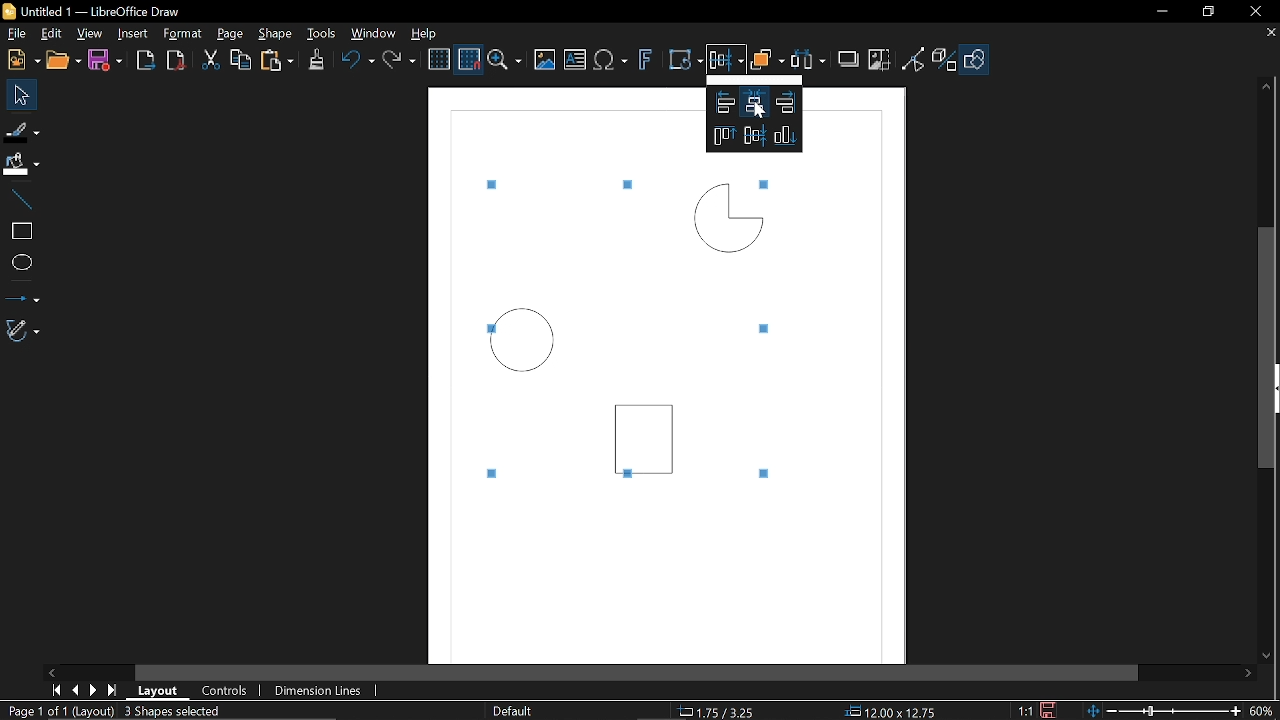 The width and height of the screenshot is (1280, 720). Describe the element at coordinates (1266, 658) in the screenshot. I see `Move down` at that location.